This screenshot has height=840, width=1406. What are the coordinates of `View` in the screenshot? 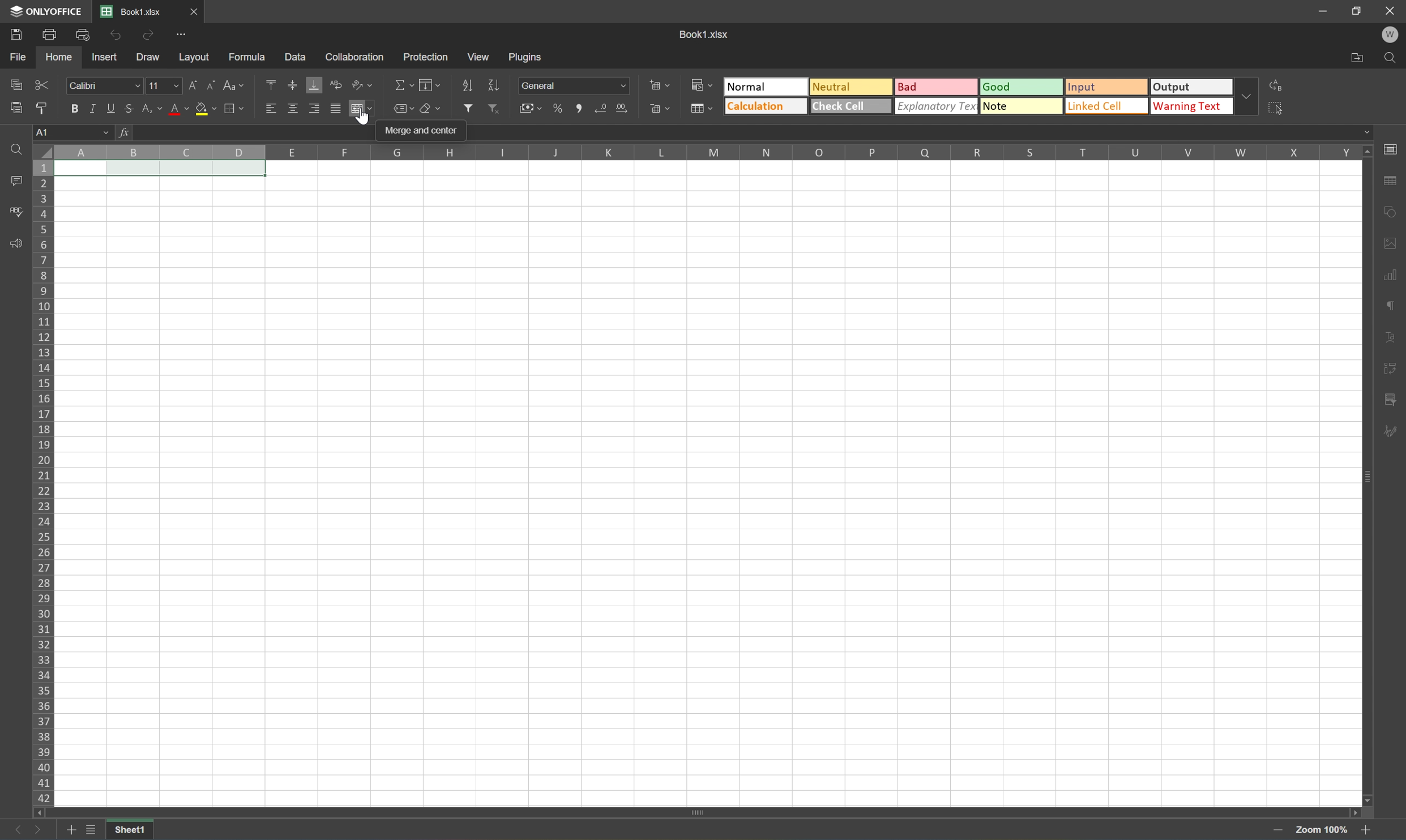 It's located at (480, 55).